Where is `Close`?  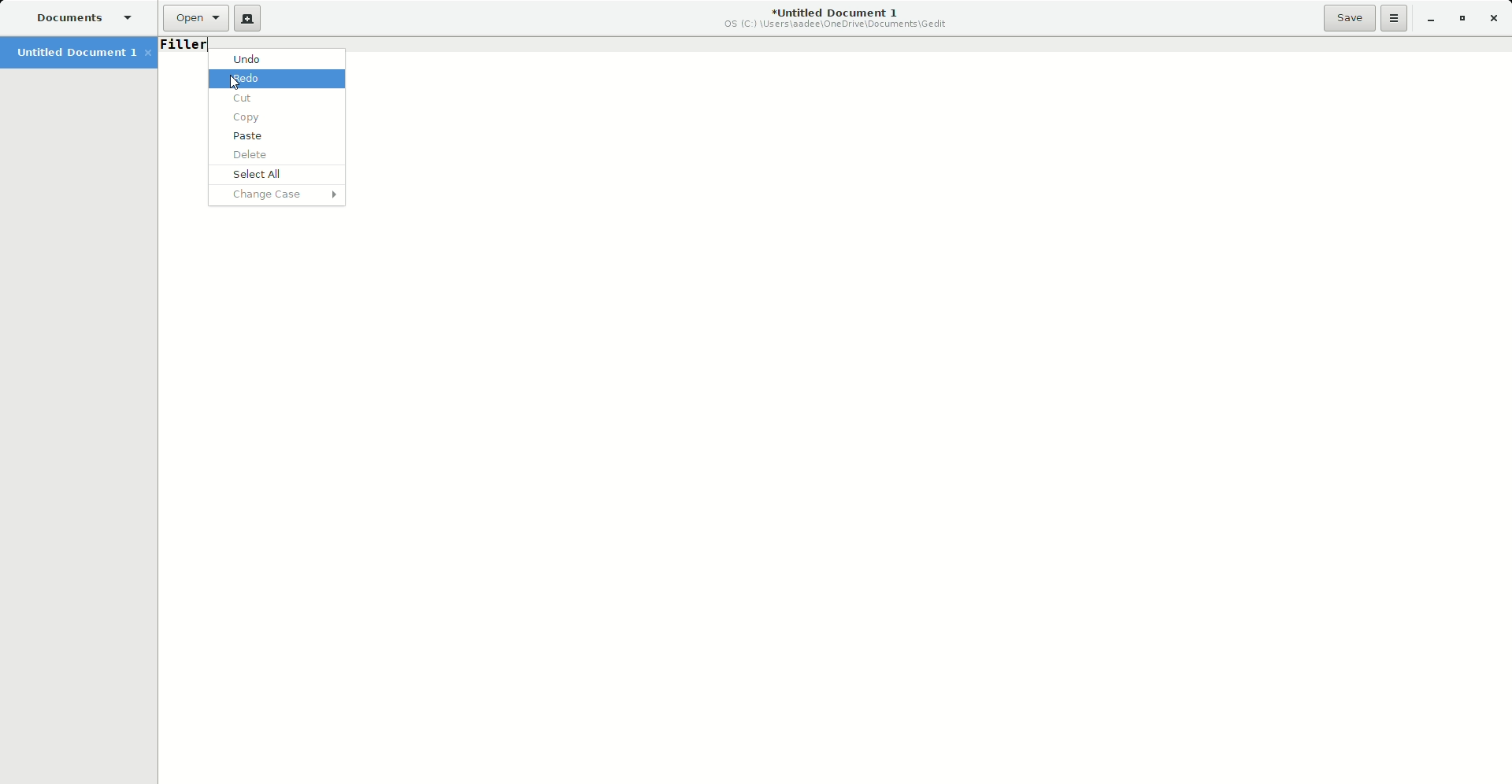 Close is located at coordinates (1496, 19).